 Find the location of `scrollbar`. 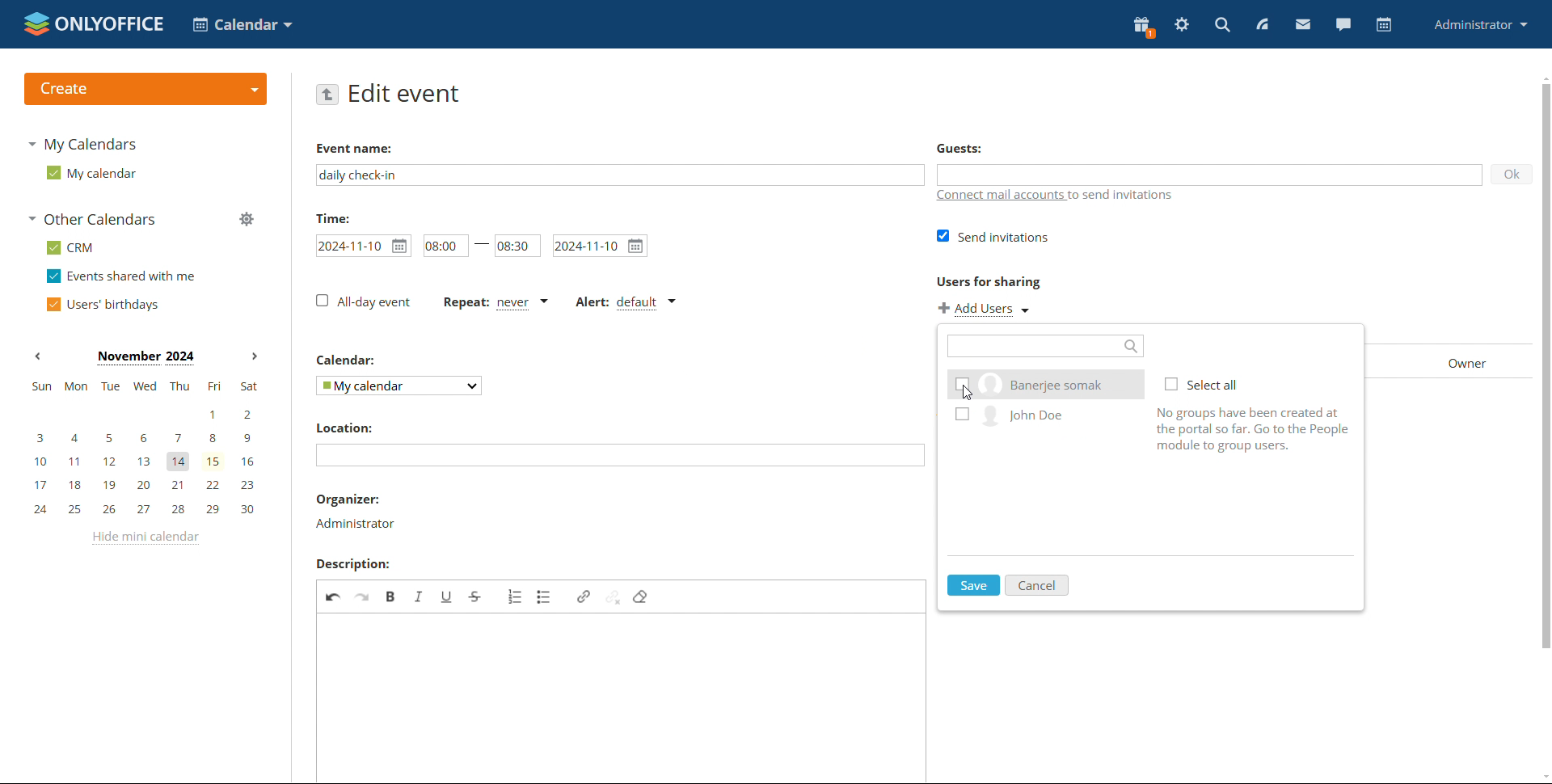

scrollbar is located at coordinates (1542, 377).